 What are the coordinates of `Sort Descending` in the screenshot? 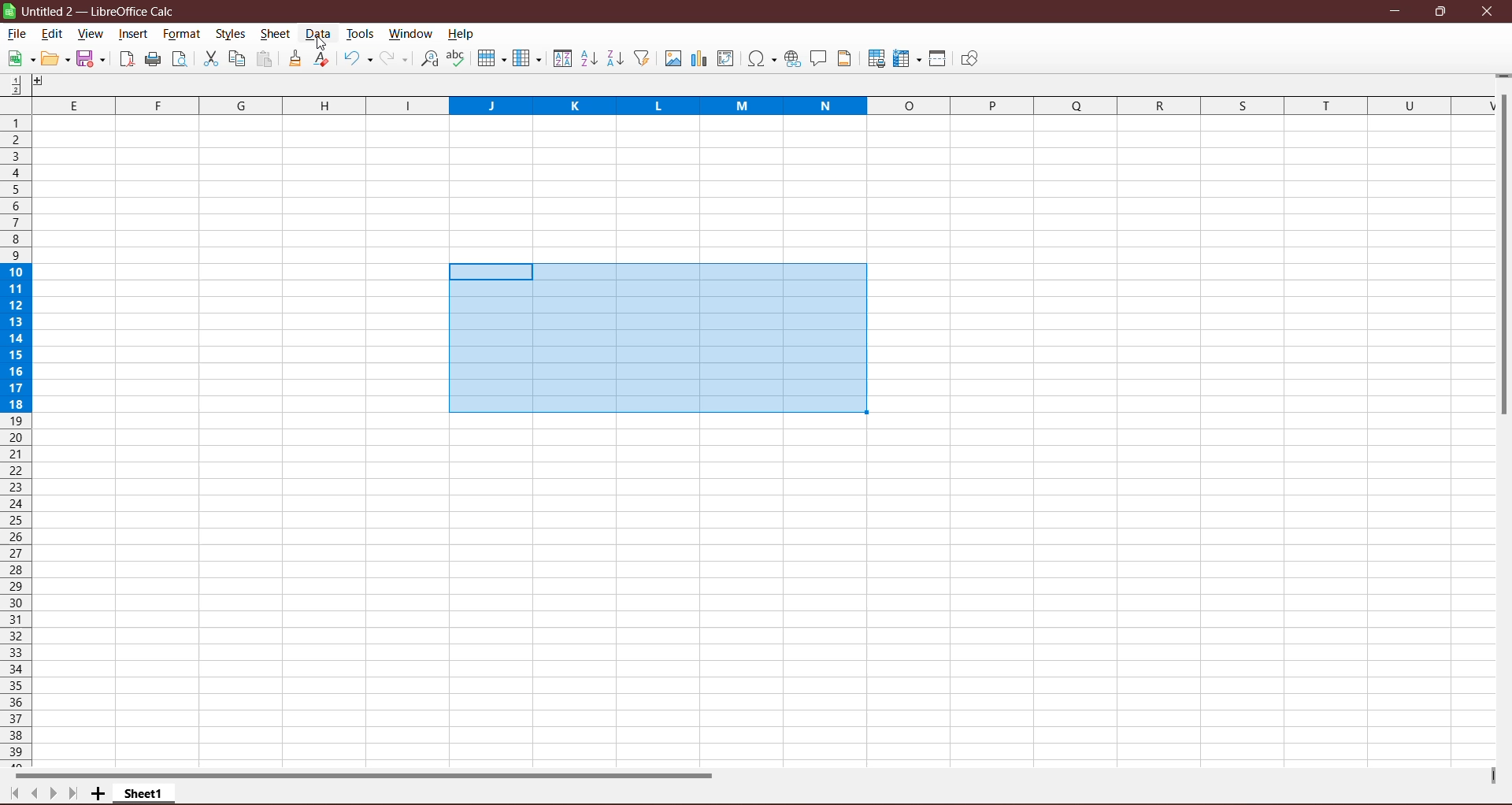 It's located at (616, 58).